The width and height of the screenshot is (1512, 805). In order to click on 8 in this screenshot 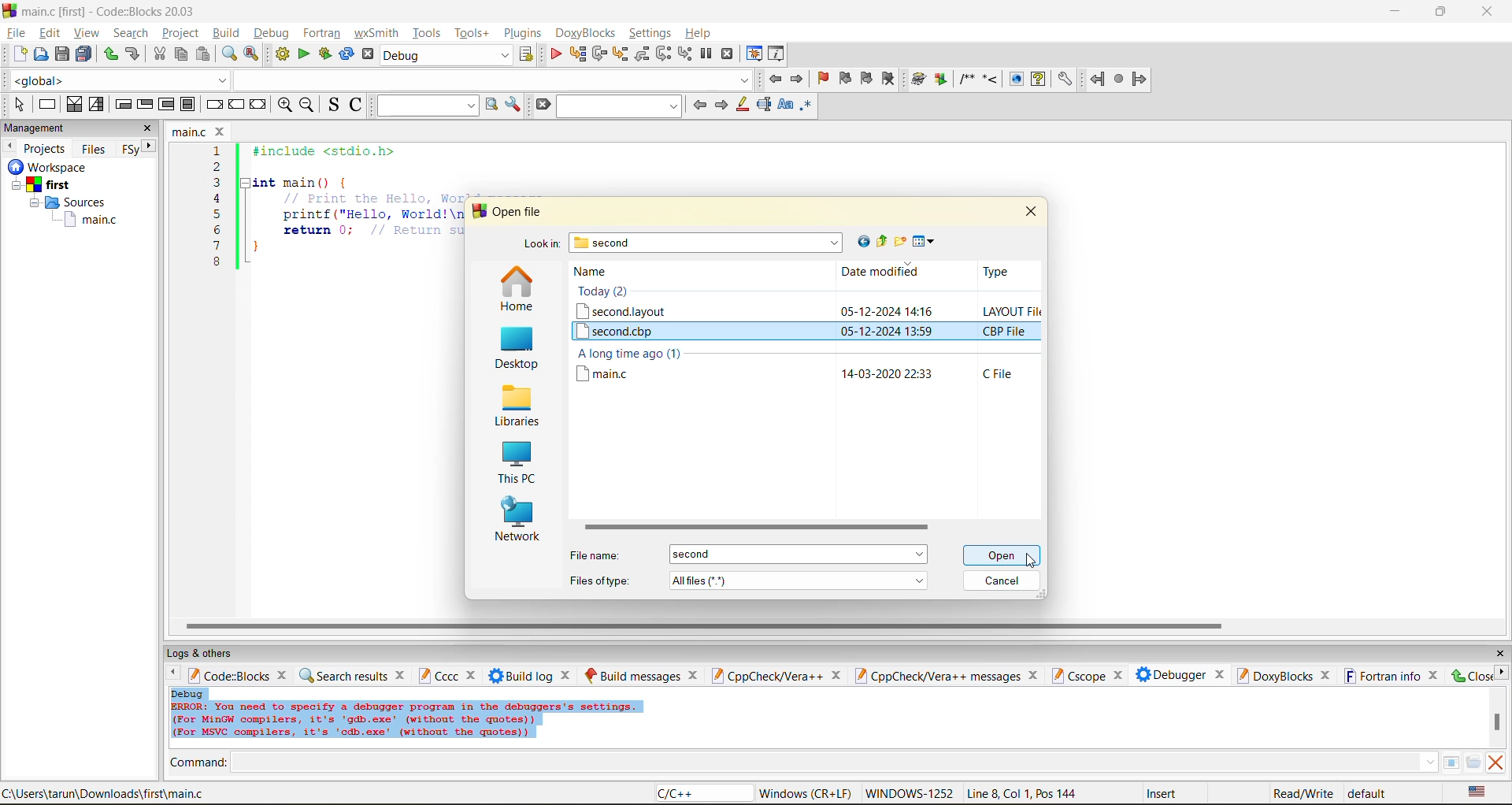, I will do `click(217, 262)`.